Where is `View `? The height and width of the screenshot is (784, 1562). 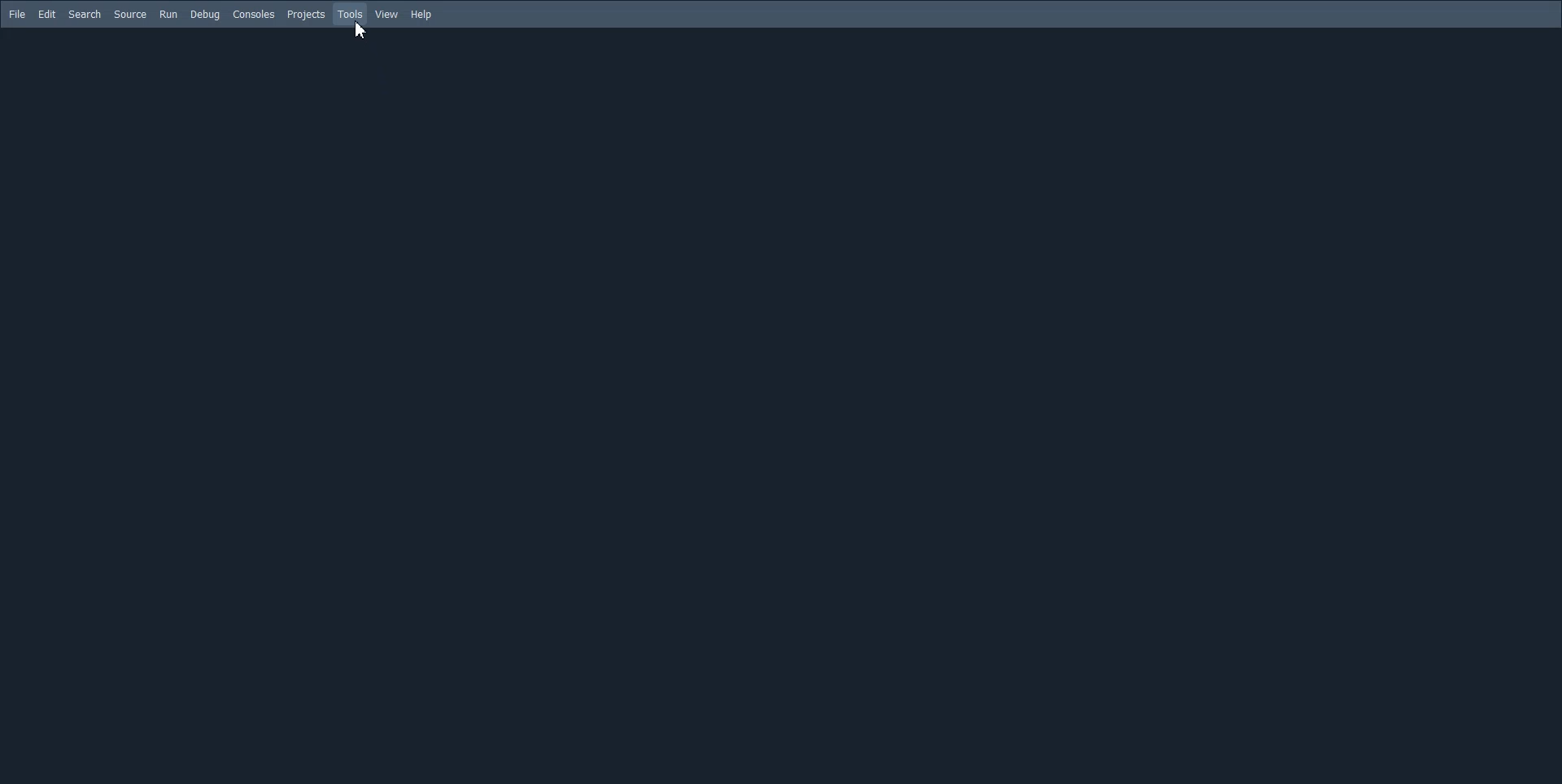 View  is located at coordinates (387, 15).